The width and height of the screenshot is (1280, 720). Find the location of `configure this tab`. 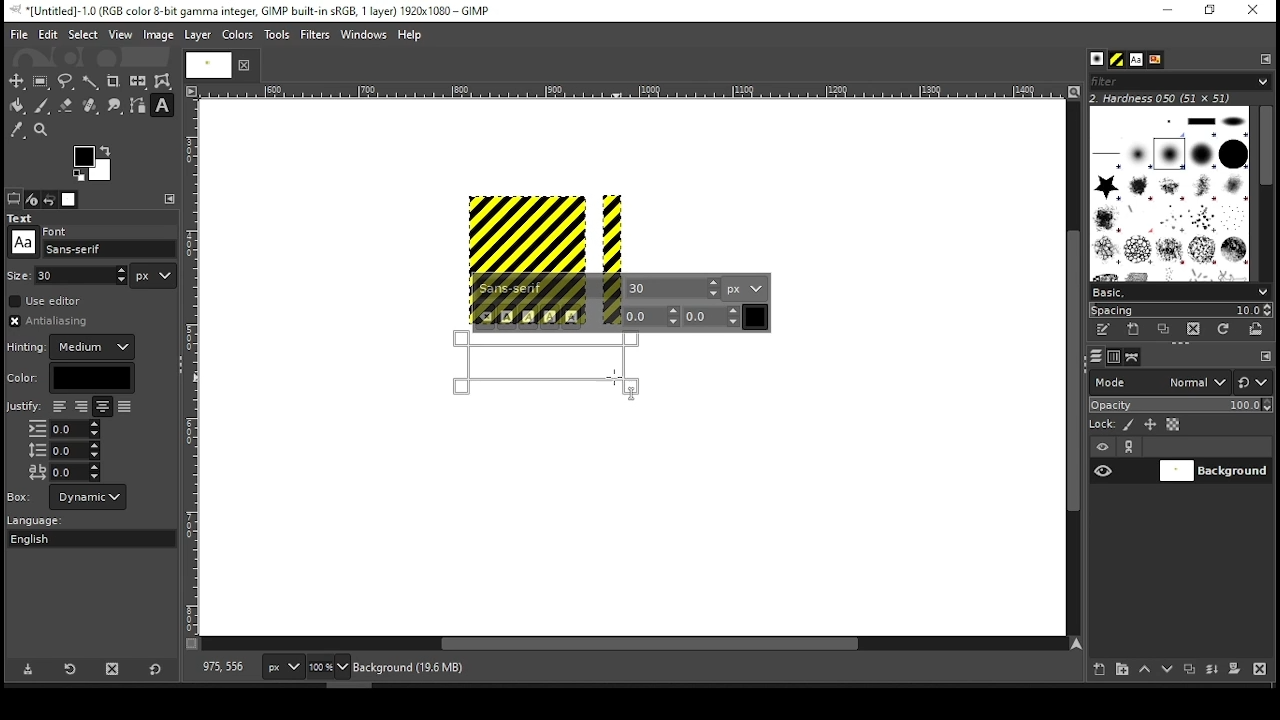

configure this tab is located at coordinates (1267, 58).